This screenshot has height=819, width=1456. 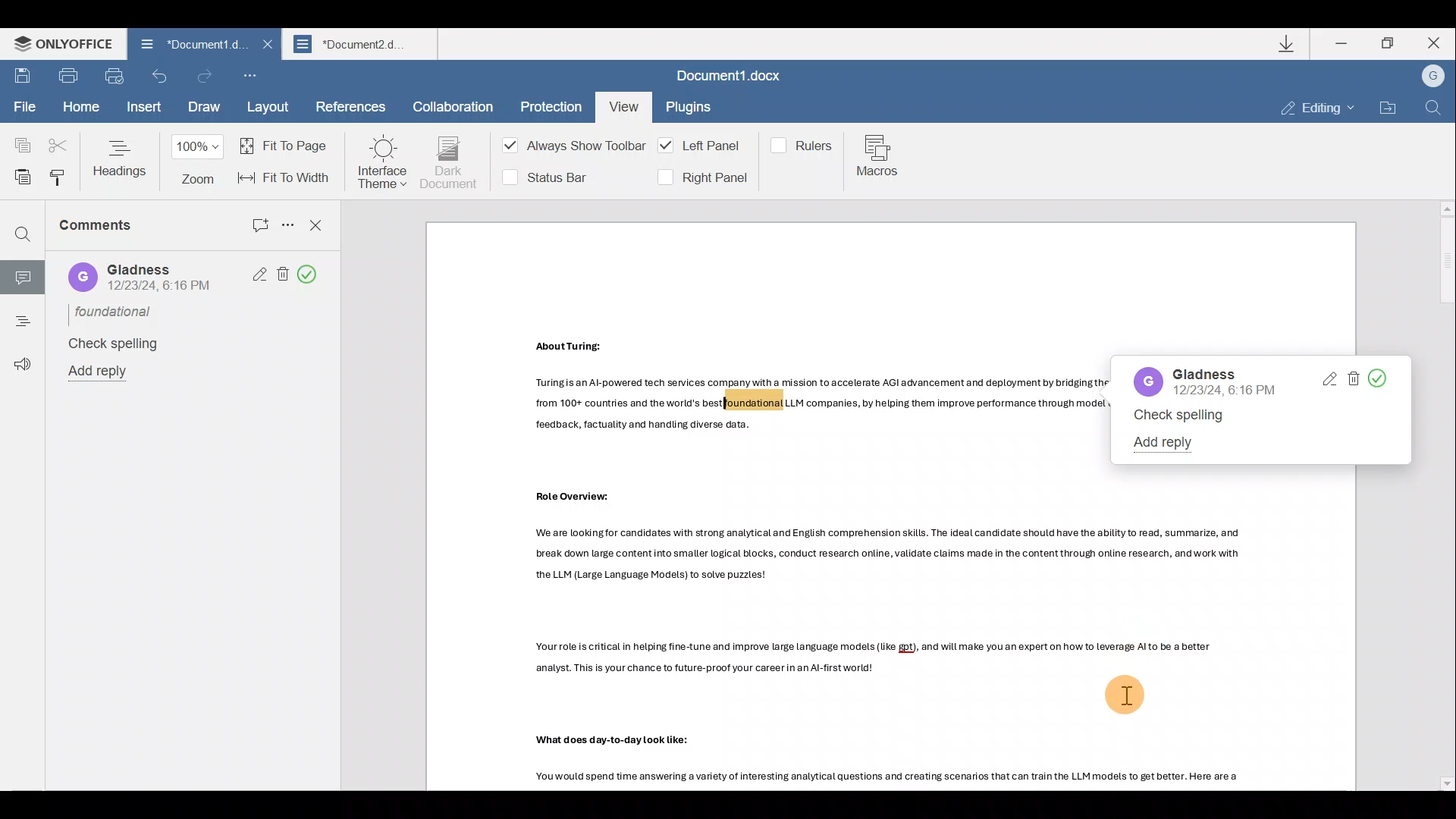 I want to click on foundational, so click(x=115, y=311).